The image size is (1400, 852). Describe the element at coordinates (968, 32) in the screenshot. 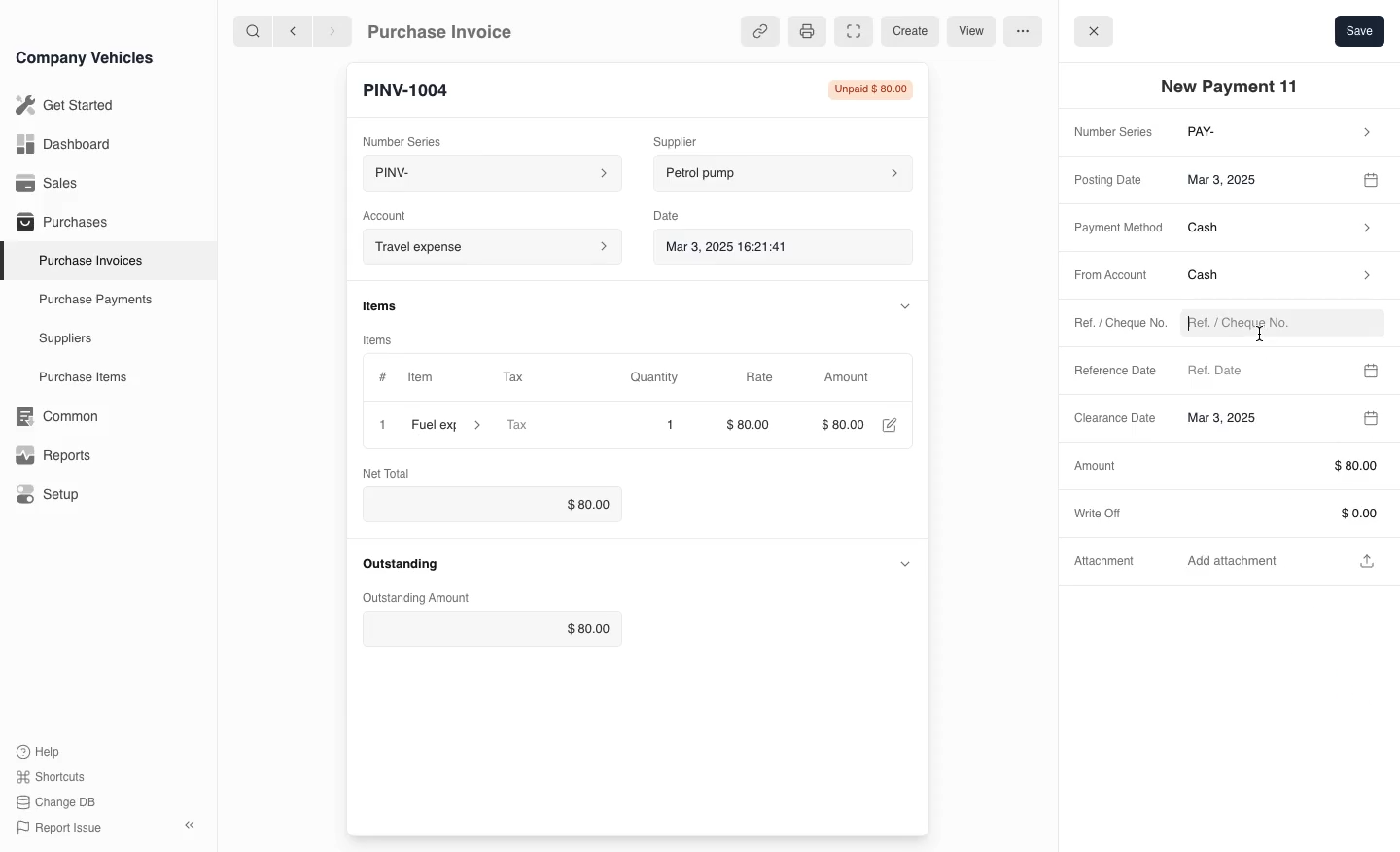

I see `view` at that location.